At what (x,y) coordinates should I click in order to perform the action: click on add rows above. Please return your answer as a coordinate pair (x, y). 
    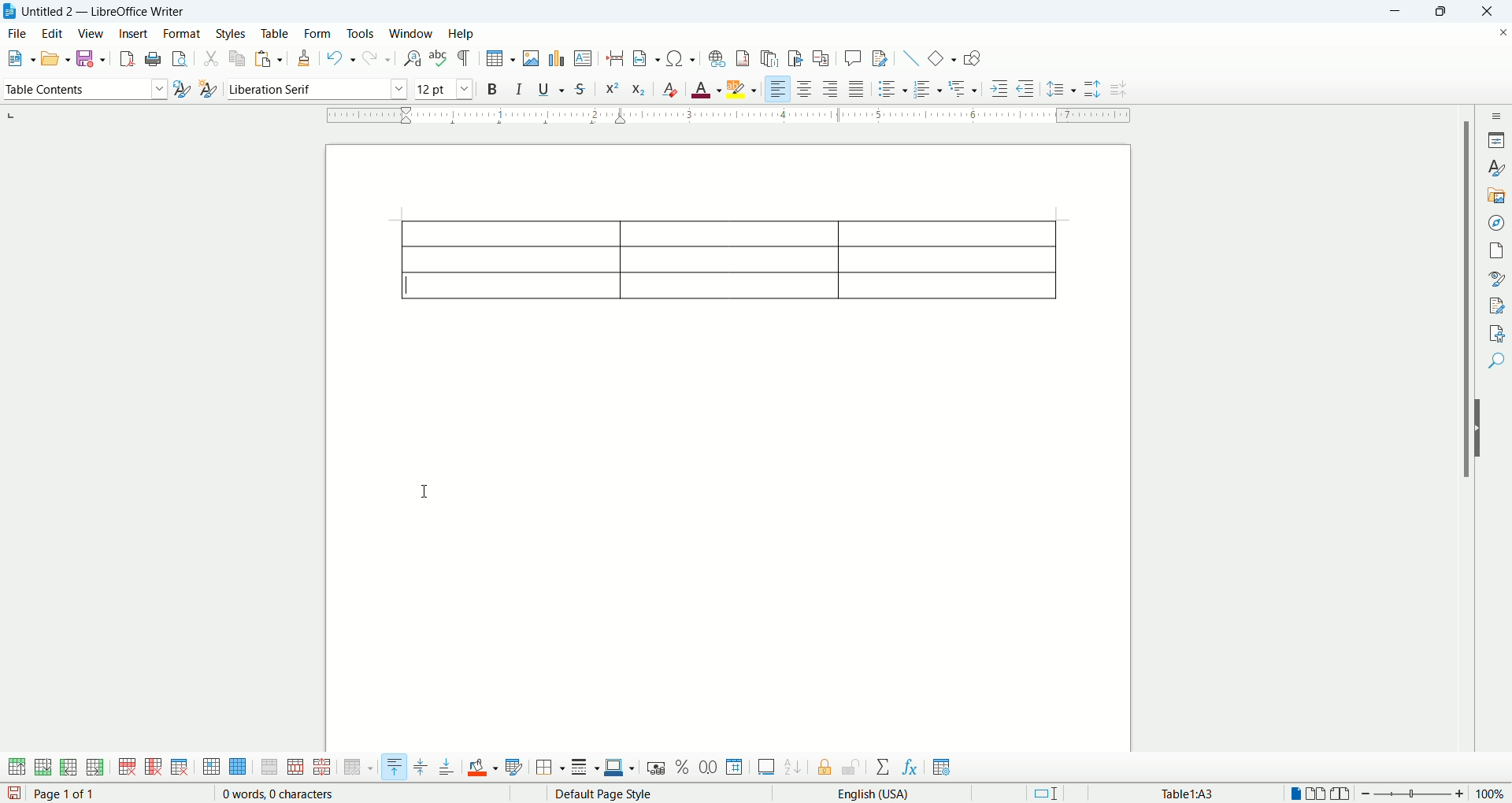
    Looking at the image, I should click on (16, 768).